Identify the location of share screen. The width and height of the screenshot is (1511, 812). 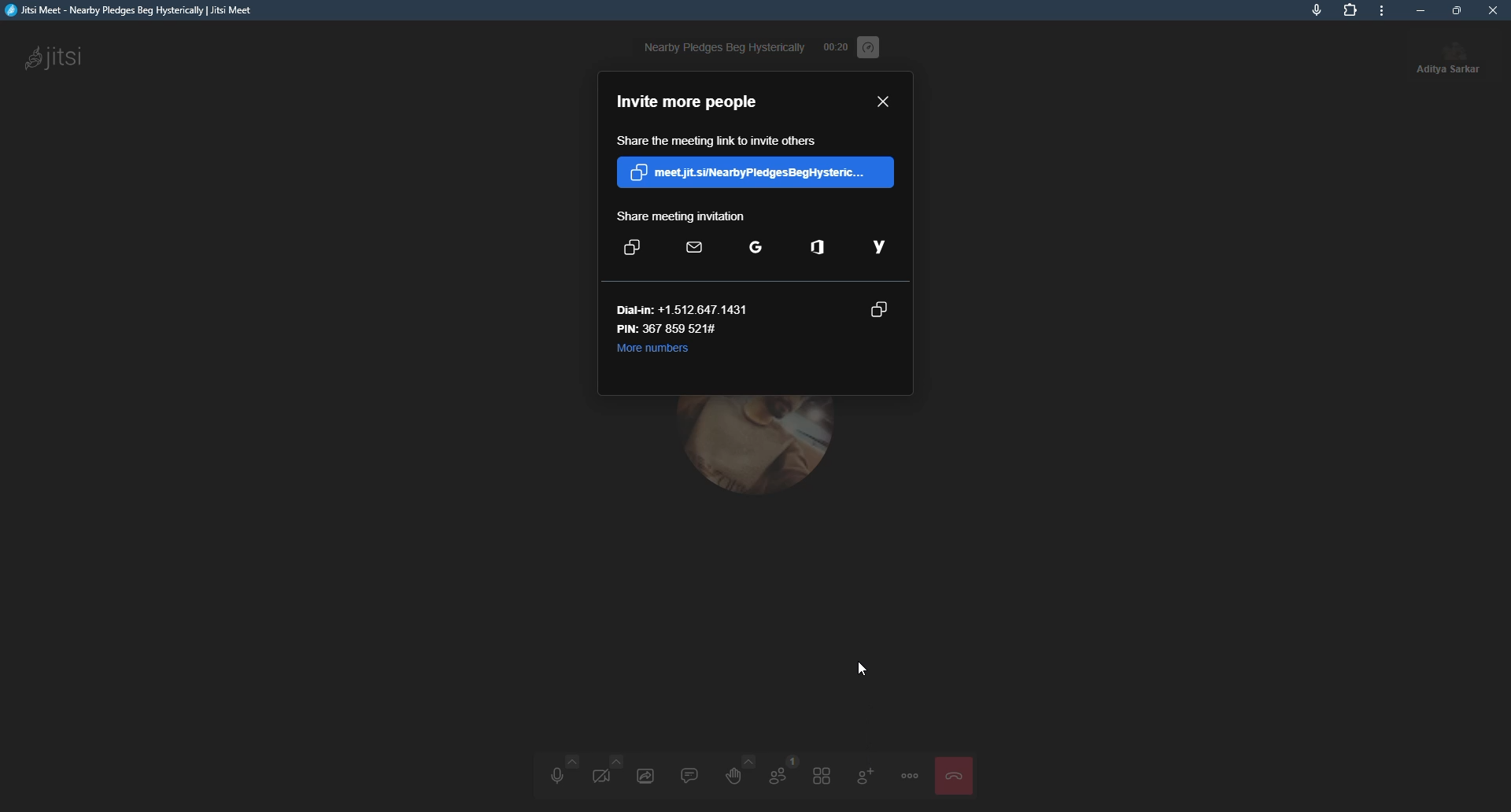
(644, 775).